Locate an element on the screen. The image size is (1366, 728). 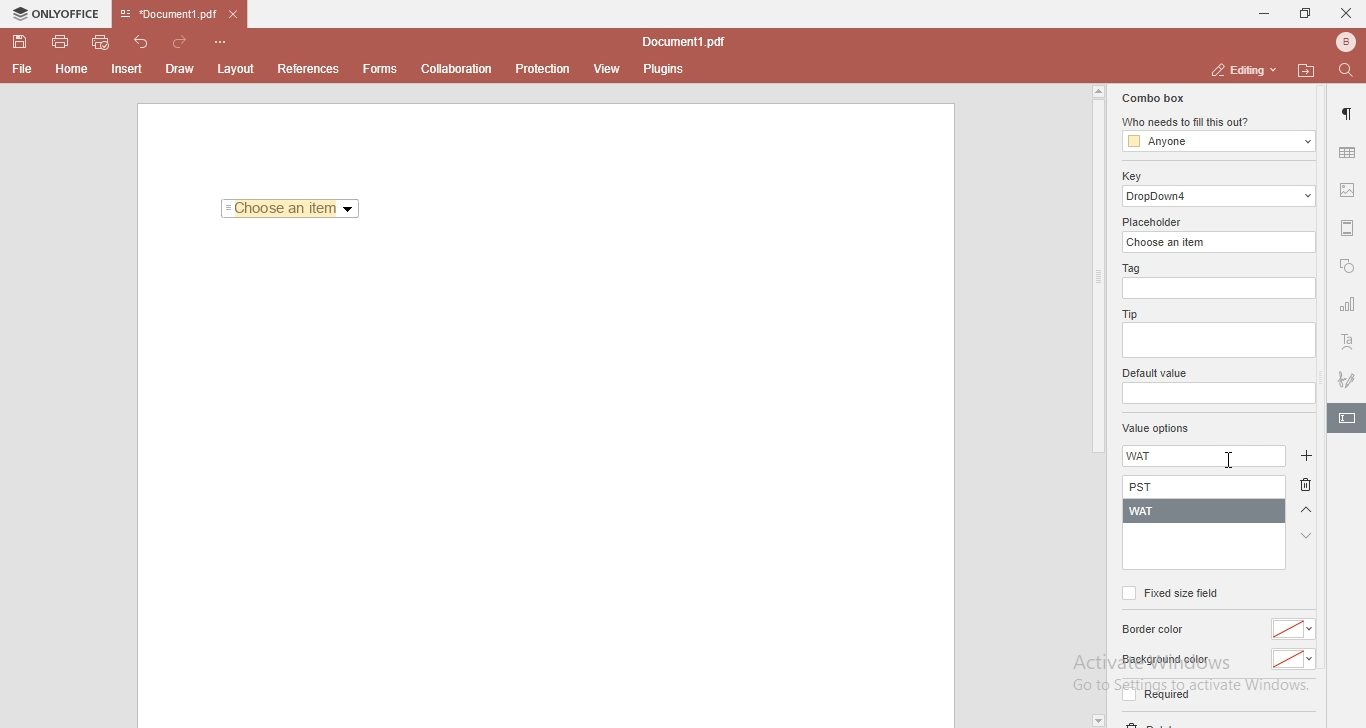
empty box is located at coordinates (1217, 342).